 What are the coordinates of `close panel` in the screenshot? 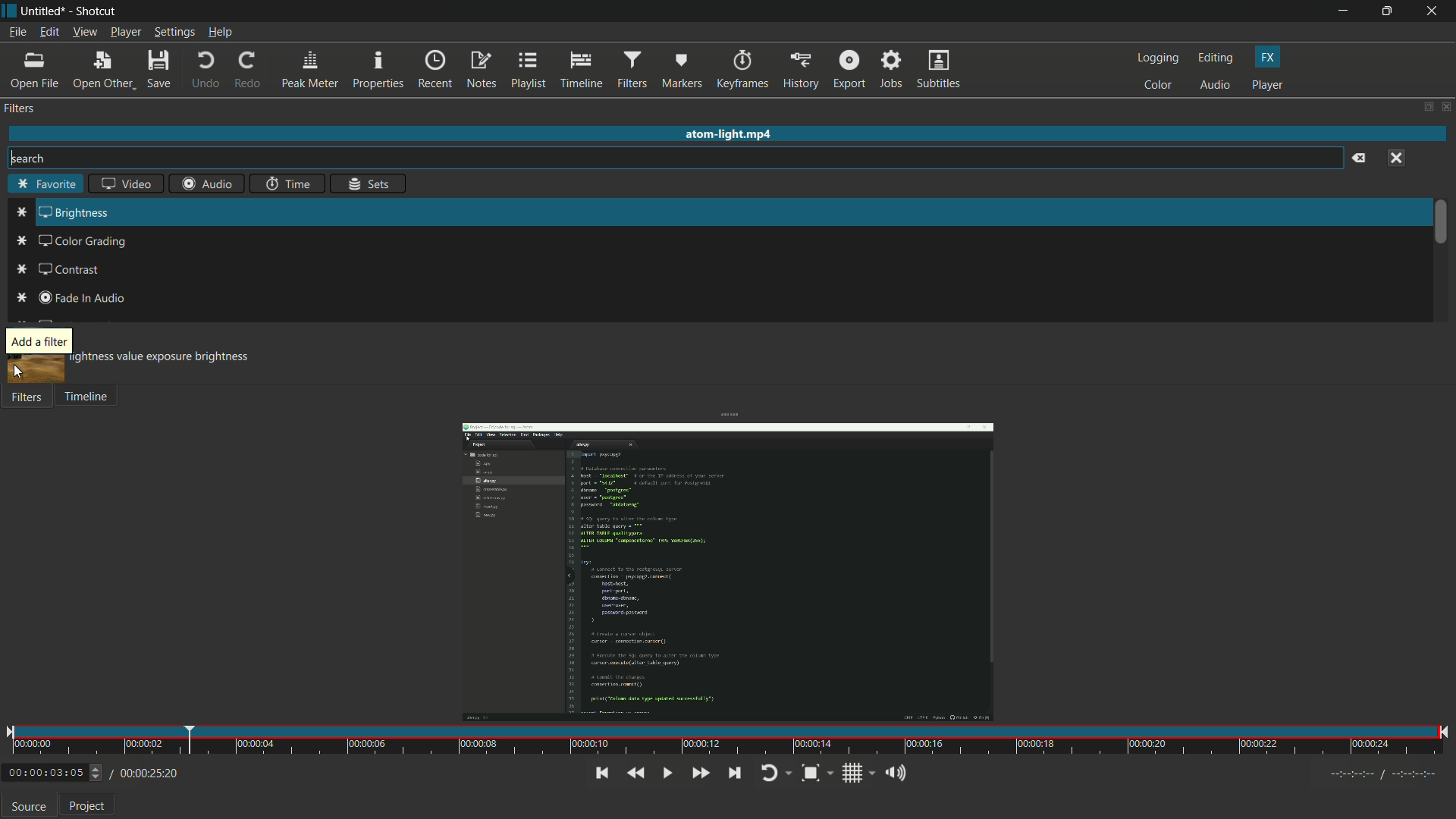 It's located at (1447, 108).